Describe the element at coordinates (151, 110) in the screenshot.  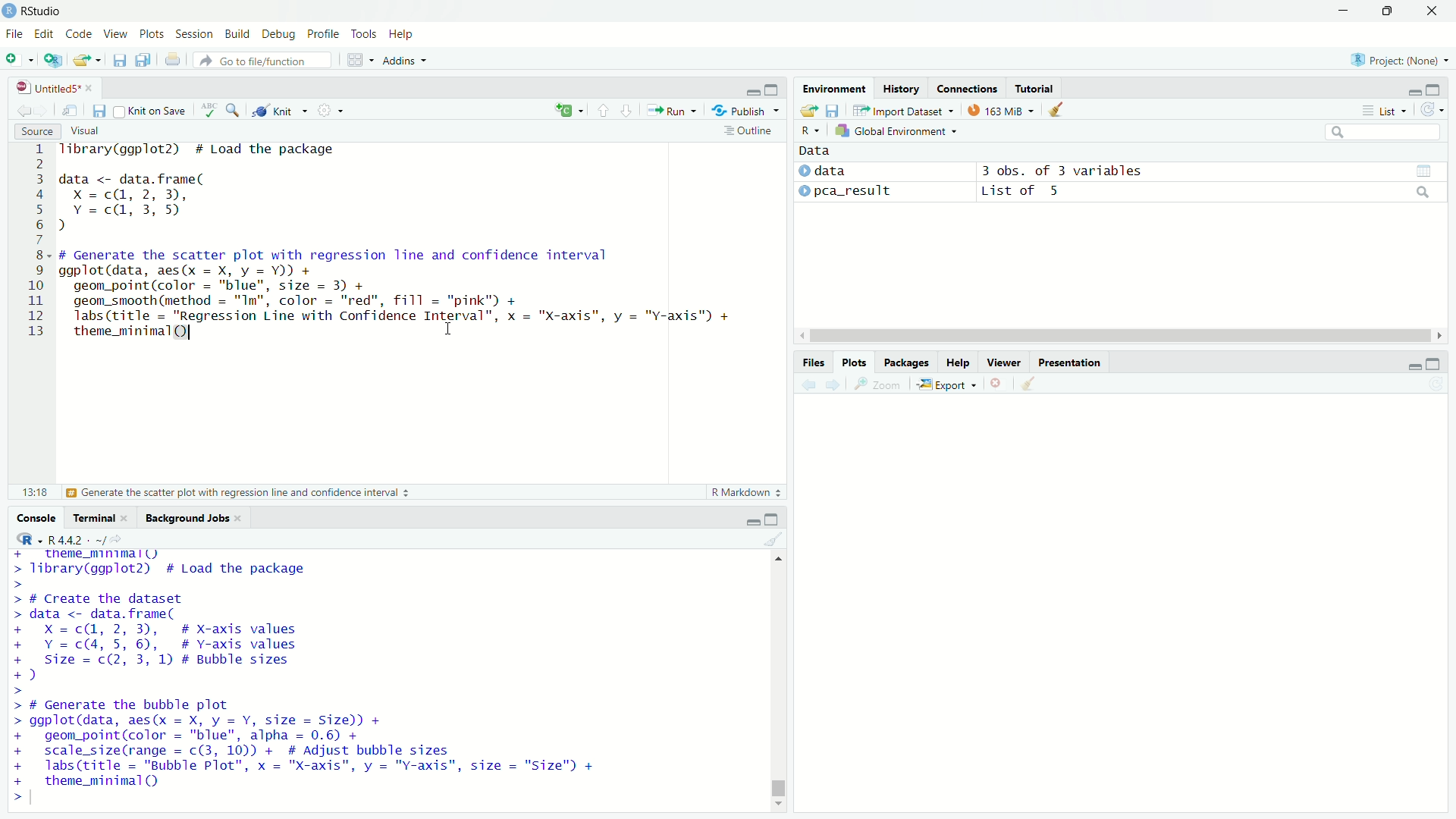
I see `Knit on Save` at that location.